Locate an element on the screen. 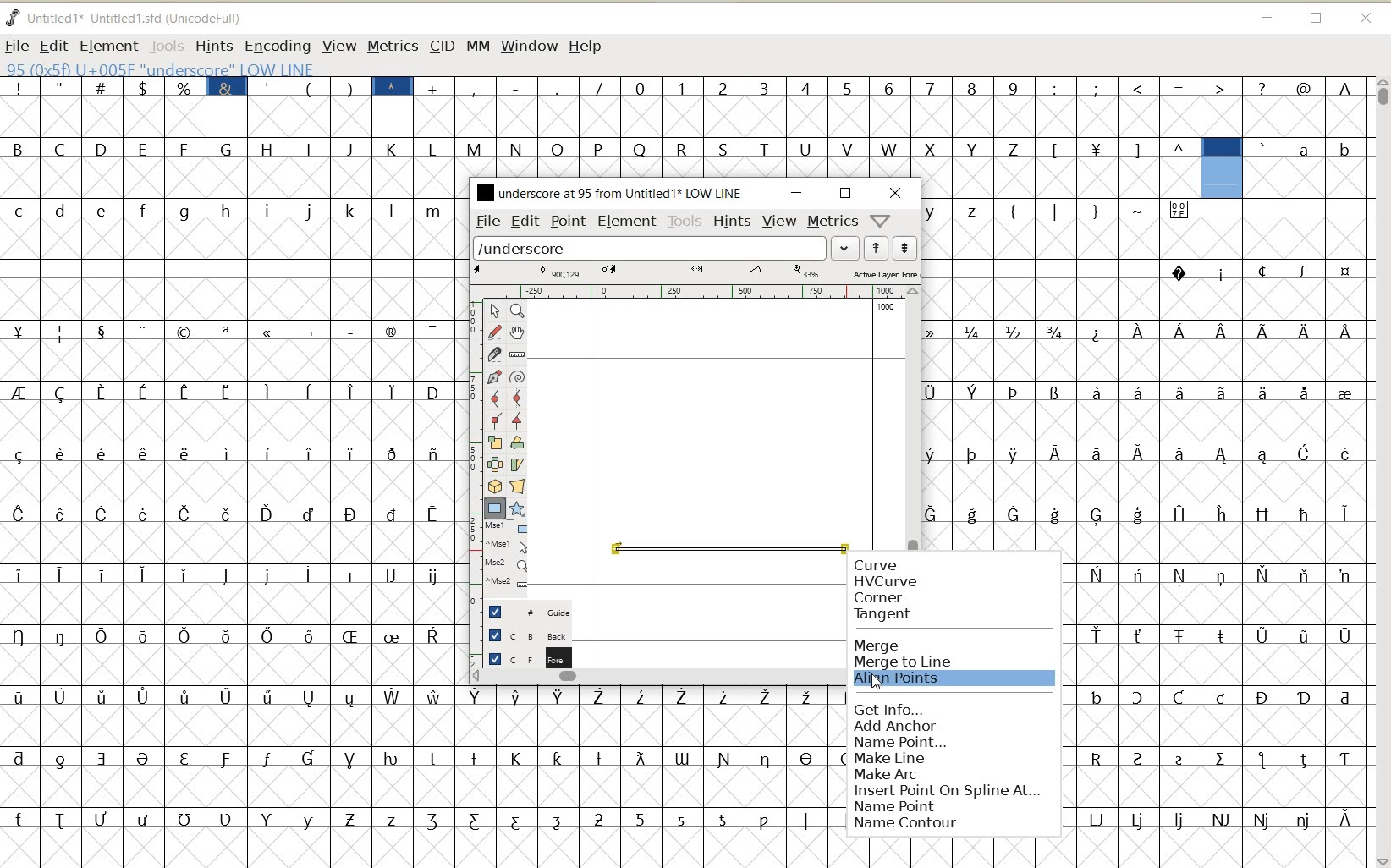  glyph selected is located at coordinates (1222, 168).